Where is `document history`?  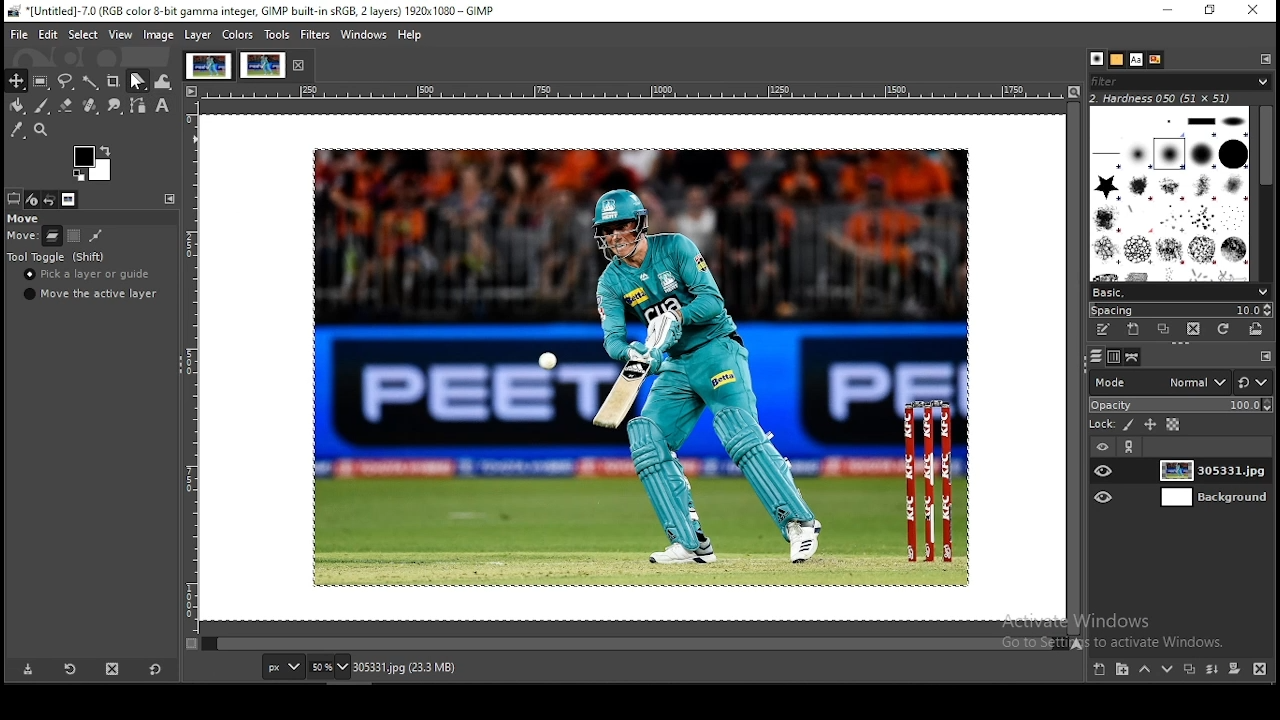
document history is located at coordinates (1153, 60).